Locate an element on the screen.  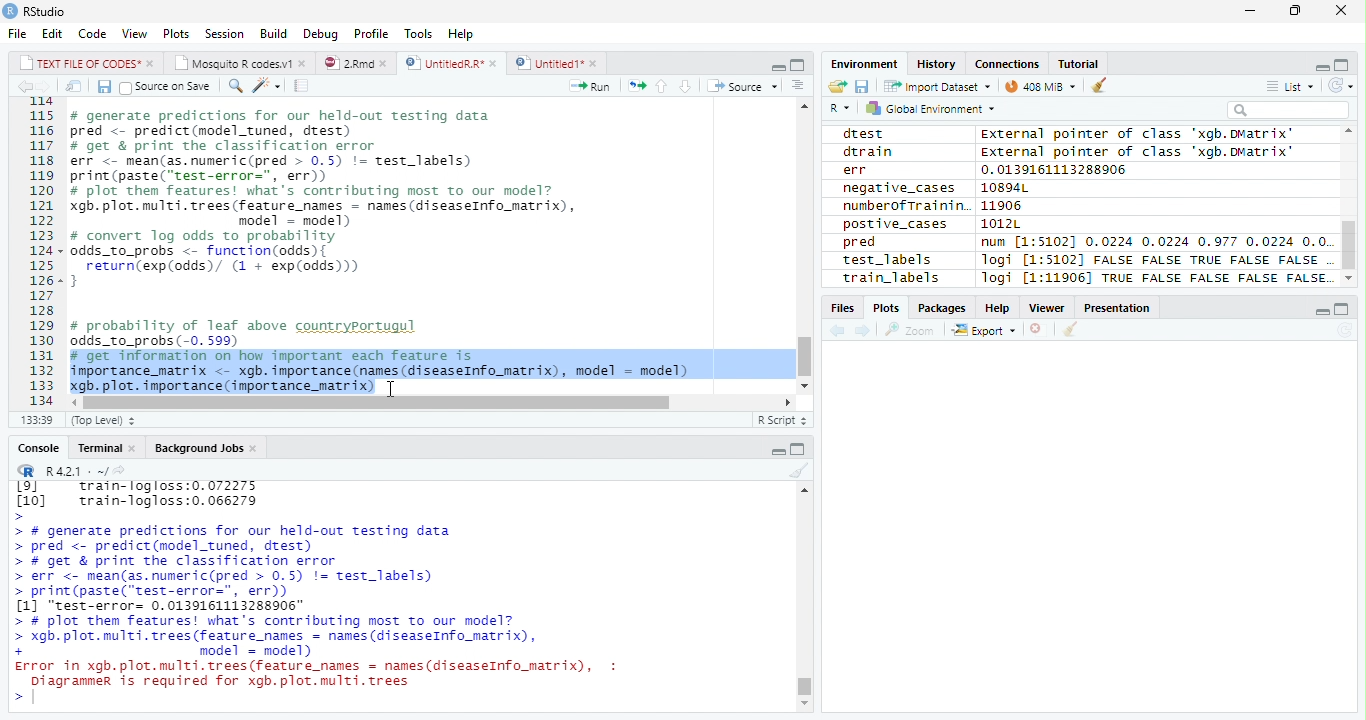
Code is located at coordinates (90, 34).